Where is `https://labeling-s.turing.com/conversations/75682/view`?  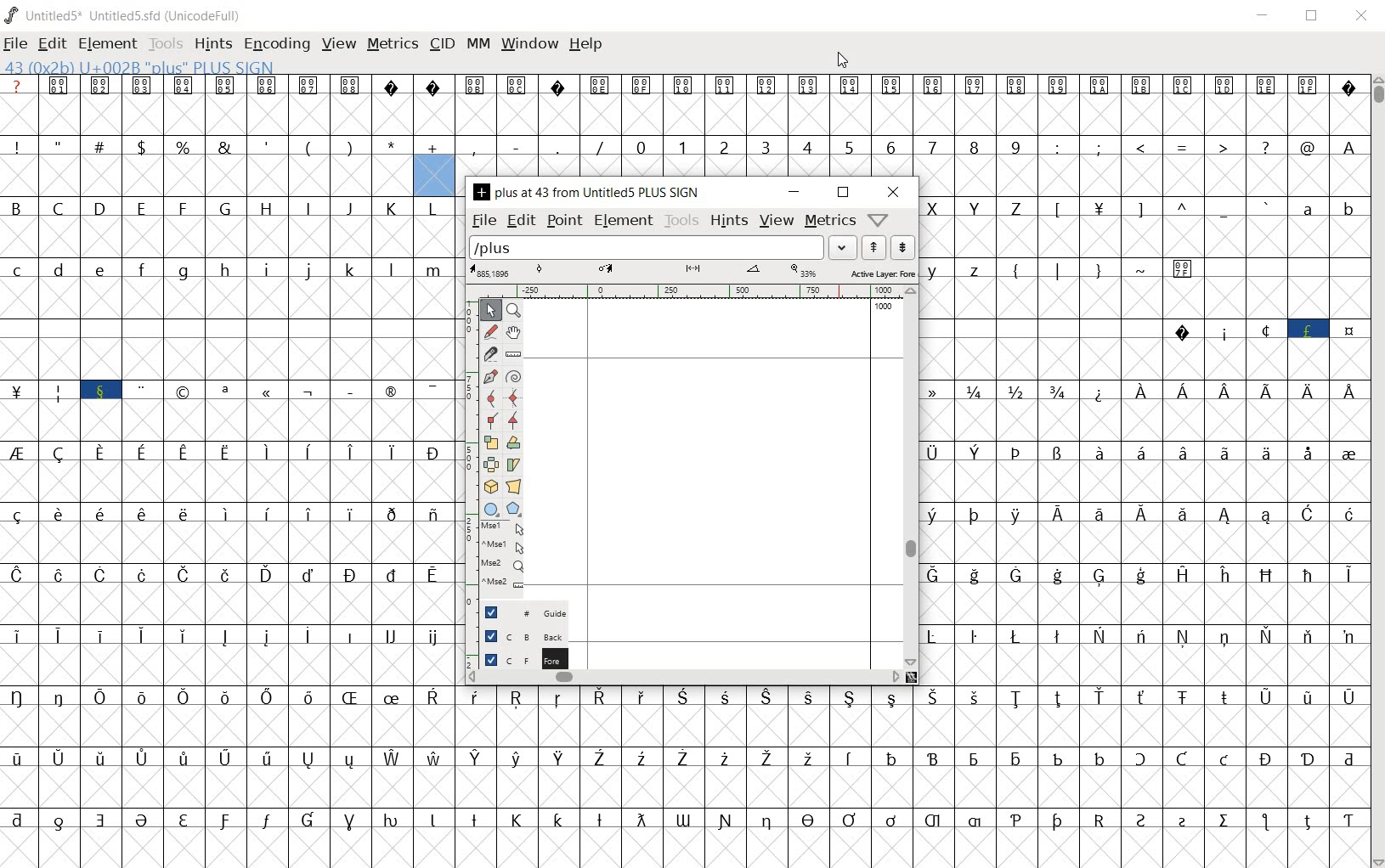
https://labeling-s.turing.com/conversations/75682/view is located at coordinates (1098, 778).